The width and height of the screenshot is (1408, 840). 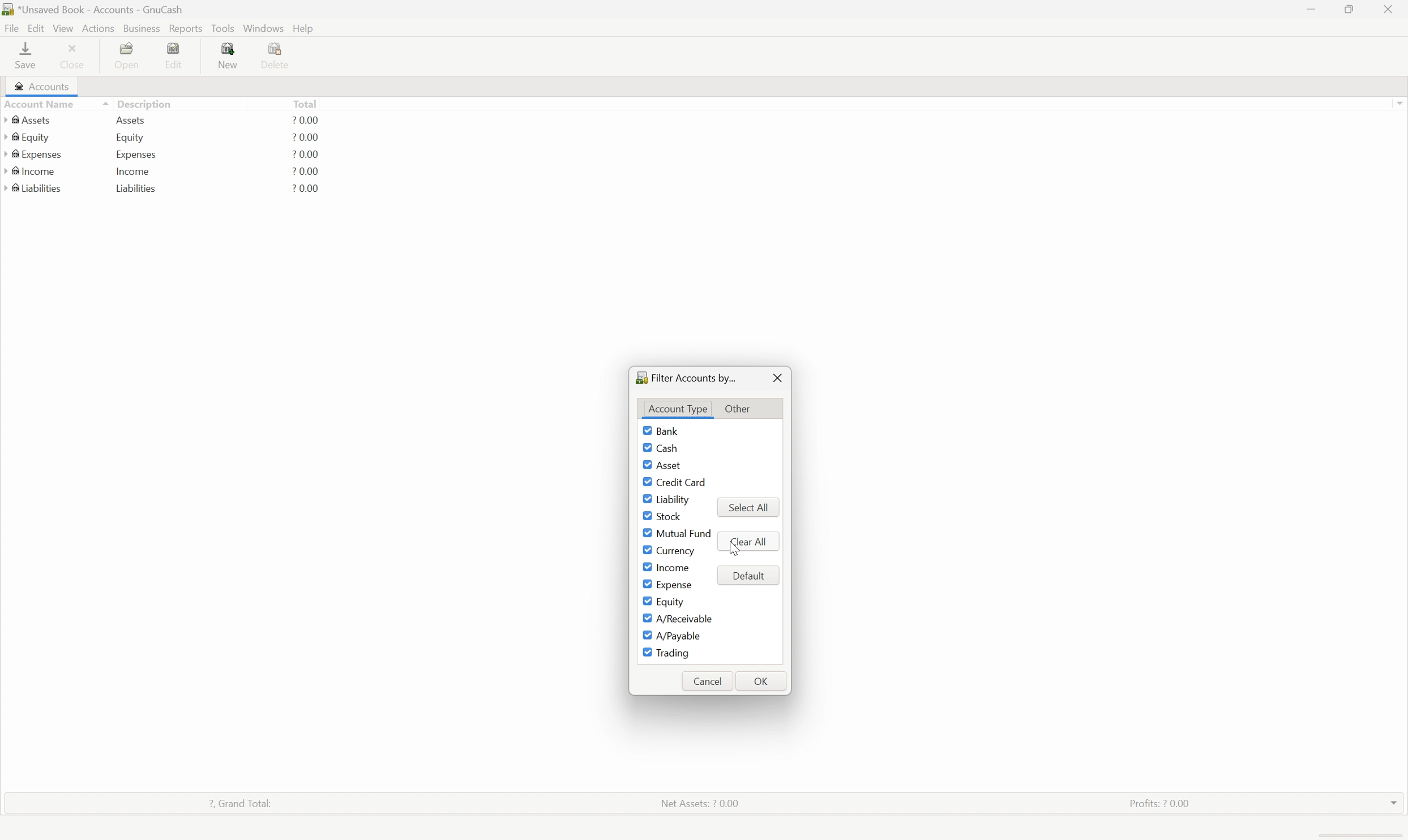 What do you see at coordinates (646, 466) in the screenshot?
I see `Checkbox` at bounding box center [646, 466].